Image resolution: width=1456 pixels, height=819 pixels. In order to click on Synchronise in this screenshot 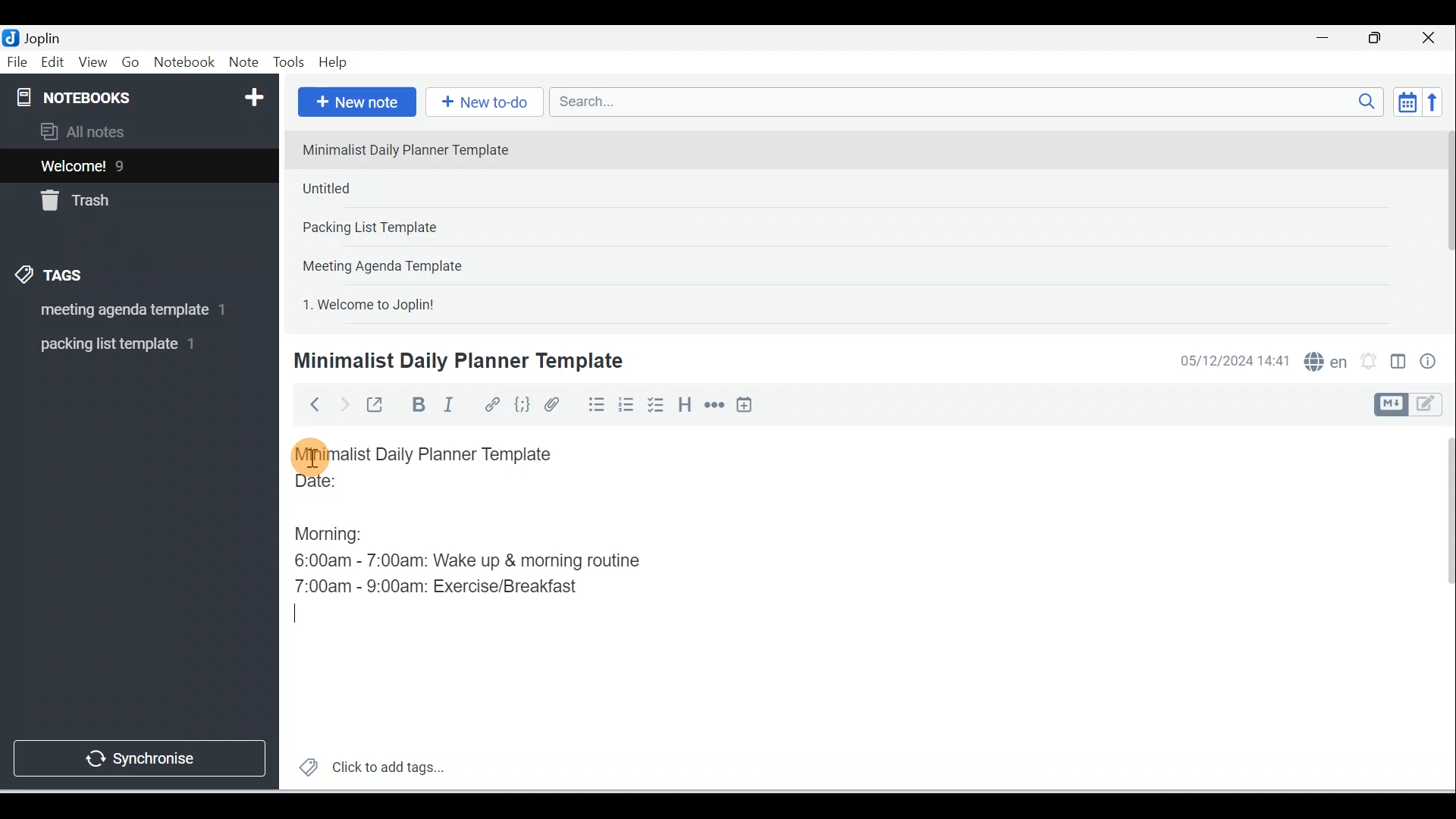, I will do `click(138, 755)`.